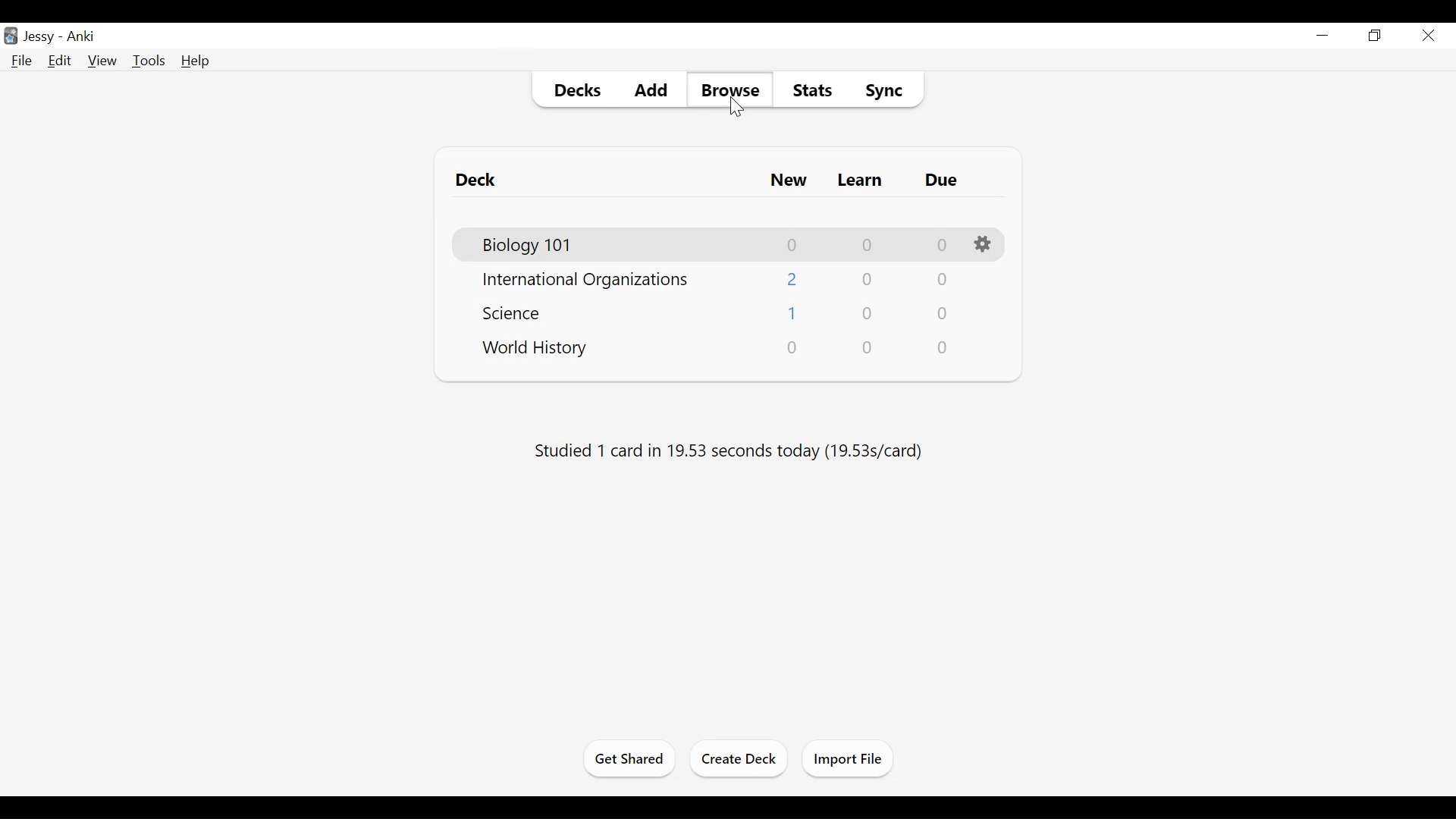 This screenshot has height=819, width=1456. I want to click on View, so click(102, 61).